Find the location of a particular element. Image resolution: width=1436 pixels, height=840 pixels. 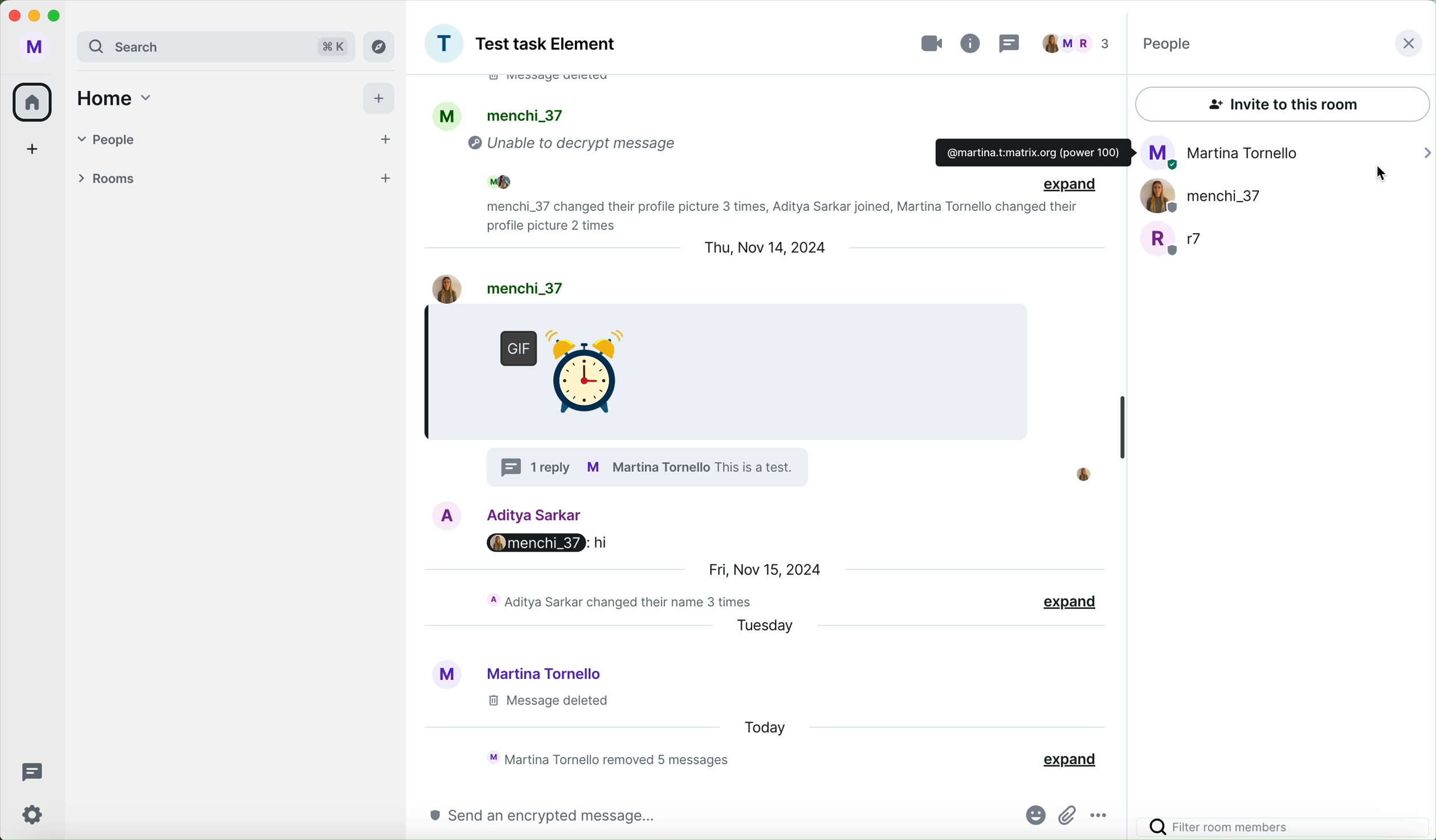

video call is located at coordinates (932, 40).